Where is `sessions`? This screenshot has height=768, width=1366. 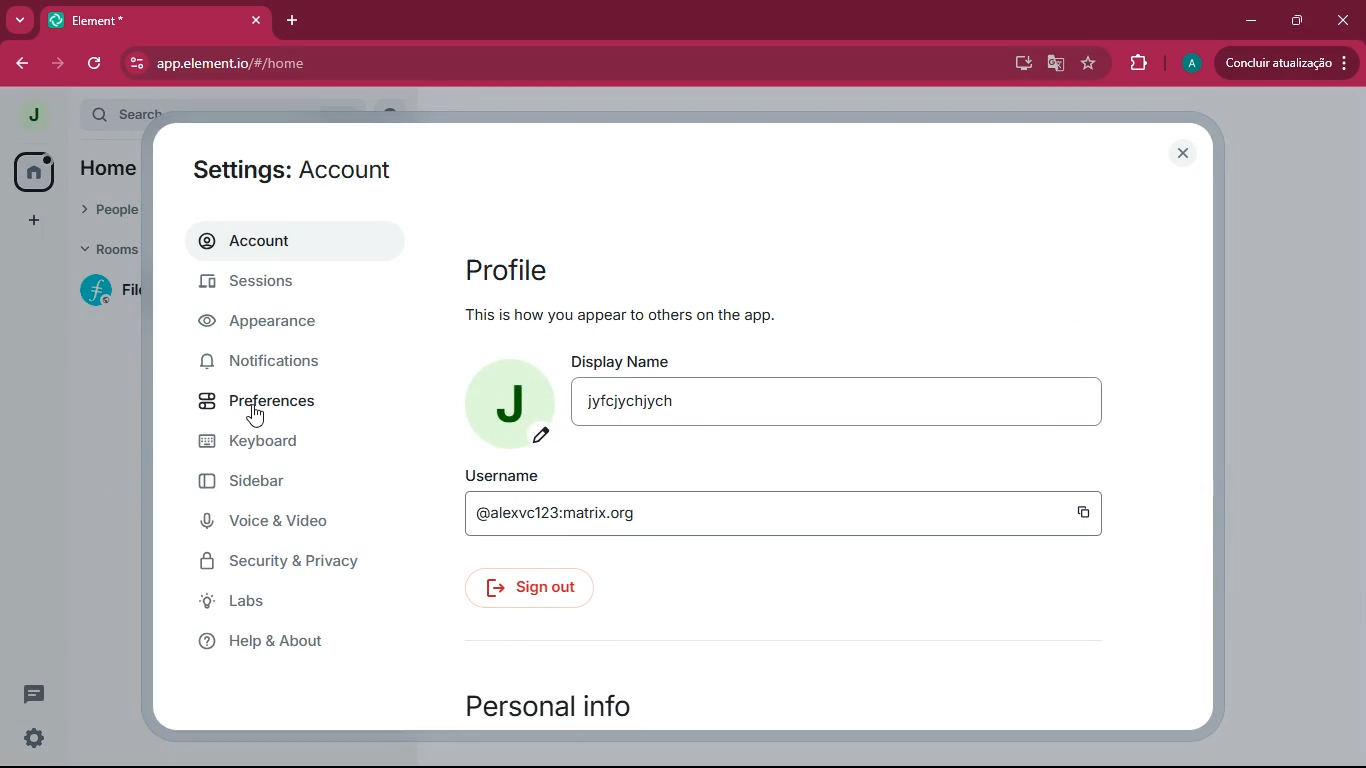 sessions is located at coordinates (272, 280).